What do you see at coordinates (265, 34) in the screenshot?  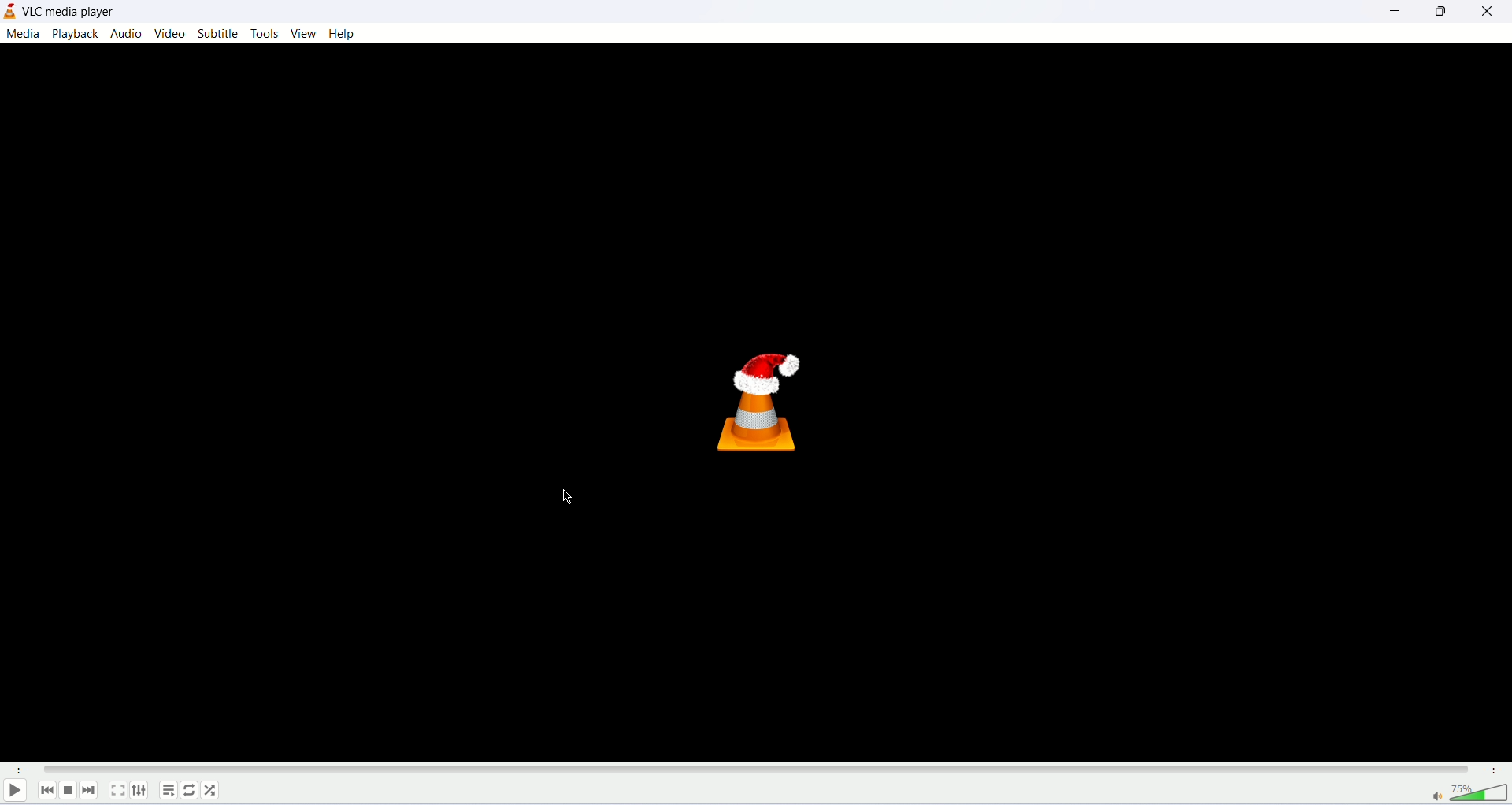 I see `tools` at bounding box center [265, 34].